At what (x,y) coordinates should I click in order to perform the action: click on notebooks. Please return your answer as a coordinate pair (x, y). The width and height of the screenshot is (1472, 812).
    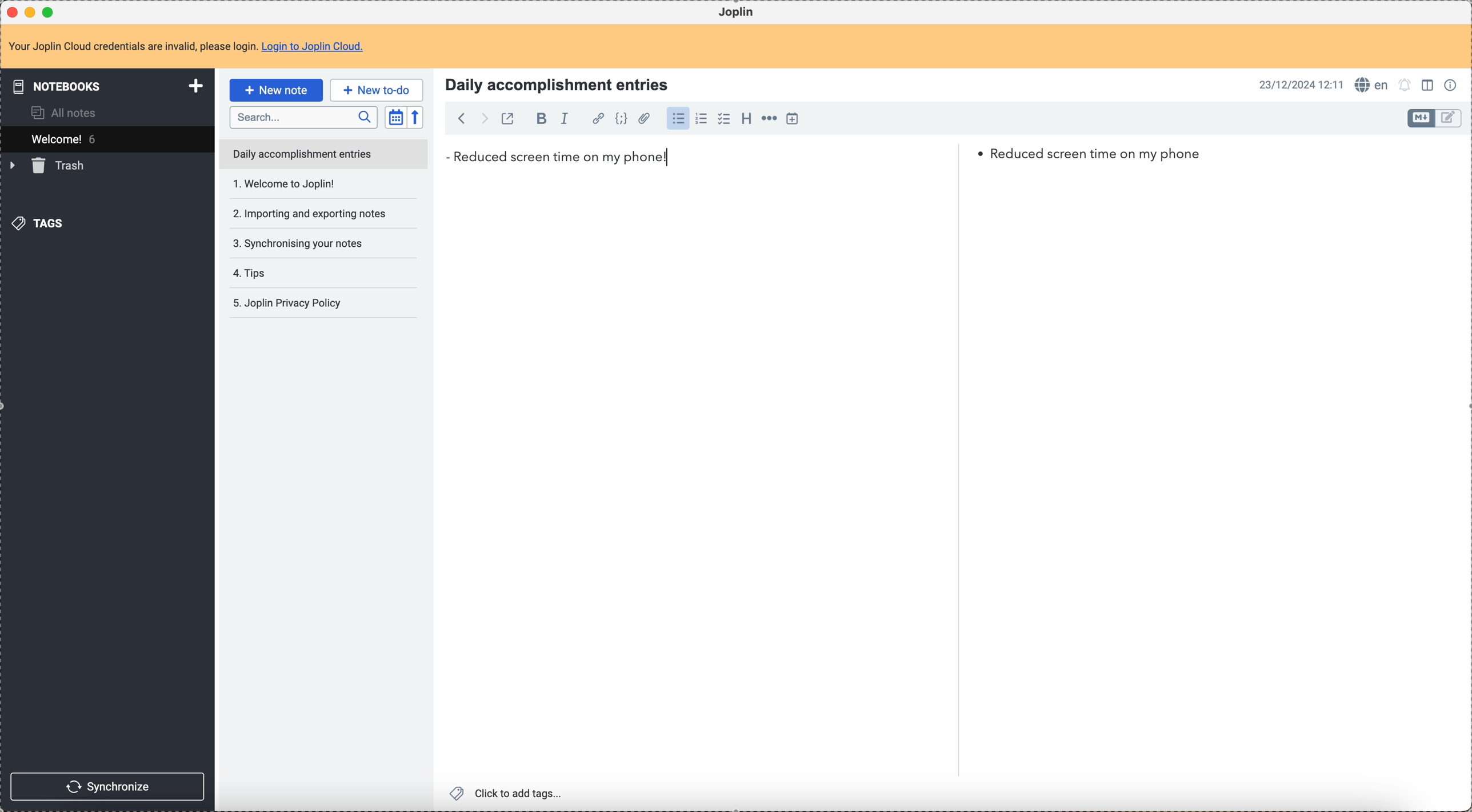
    Looking at the image, I should click on (105, 85).